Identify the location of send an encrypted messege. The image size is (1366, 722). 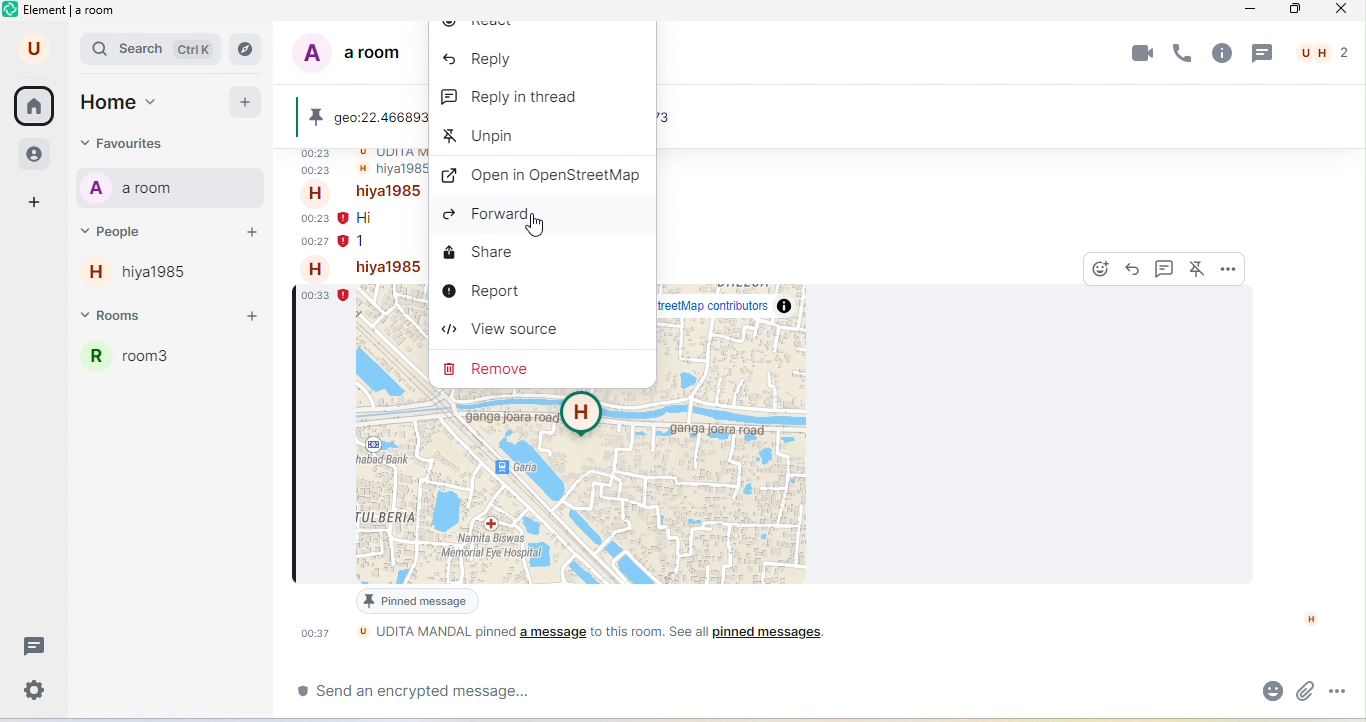
(427, 695).